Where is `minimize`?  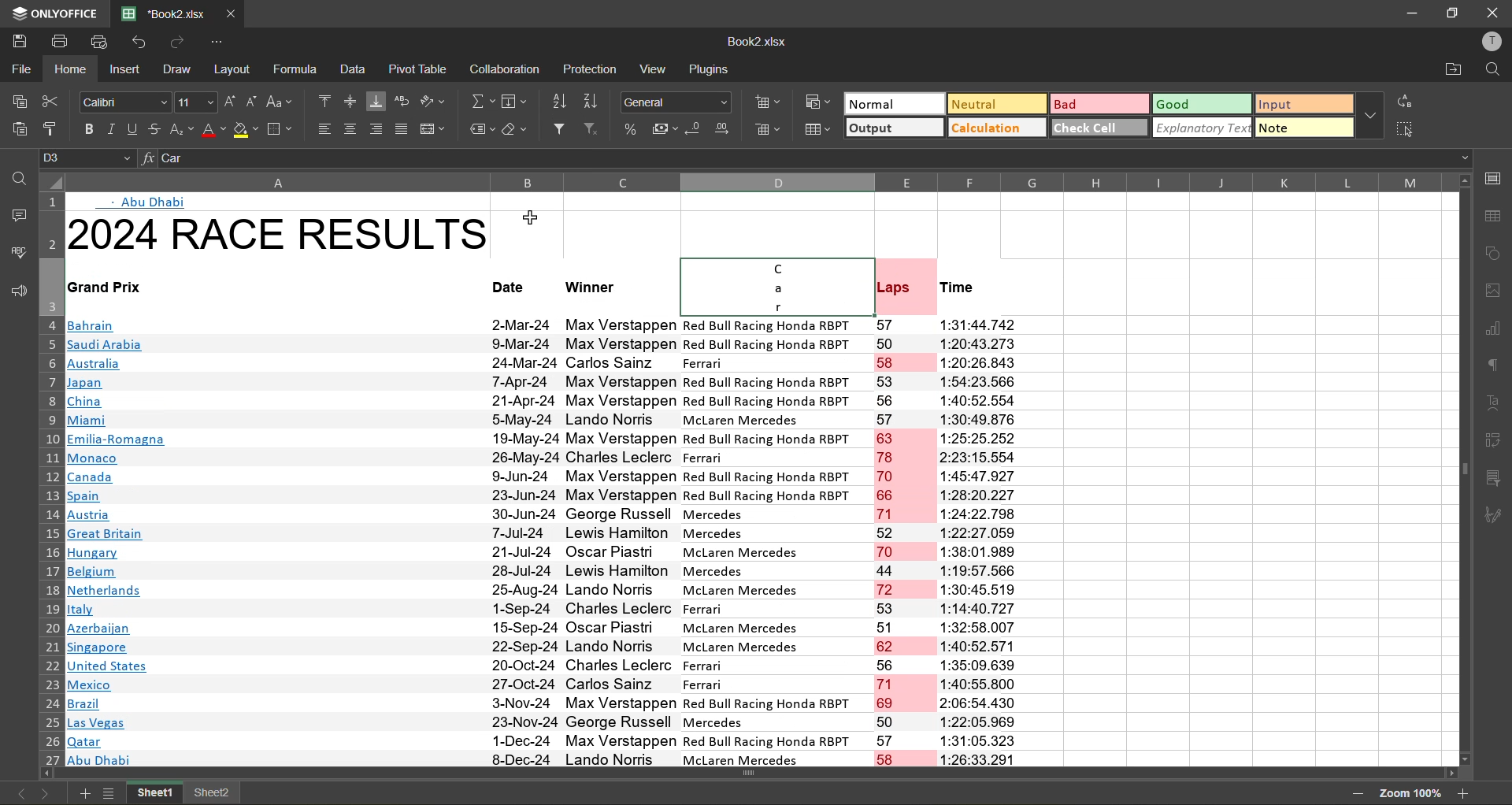 minimize is located at coordinates (1414, 13).